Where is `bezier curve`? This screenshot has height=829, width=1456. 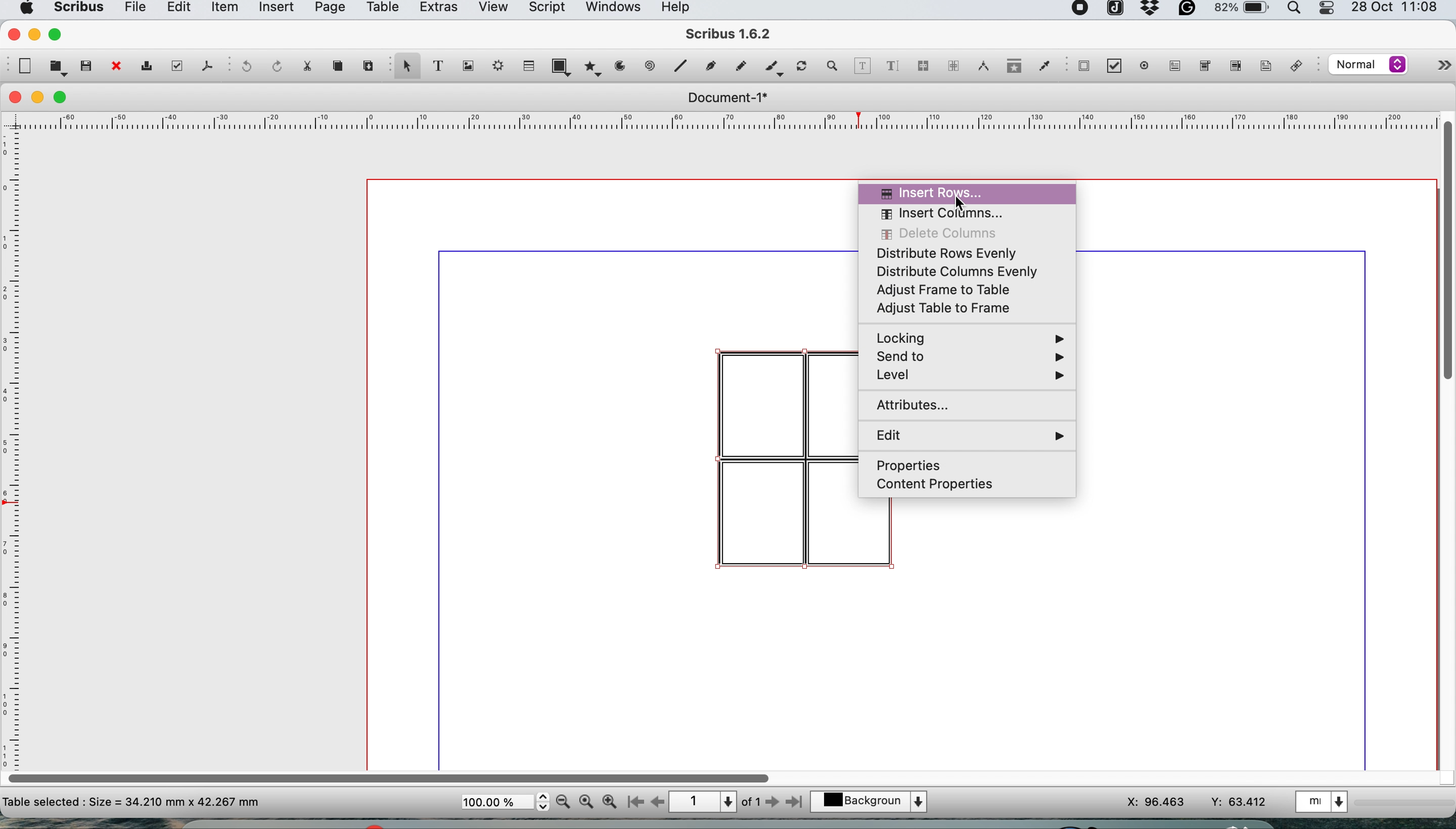 bezier curve is located at coordinates (709, 68).